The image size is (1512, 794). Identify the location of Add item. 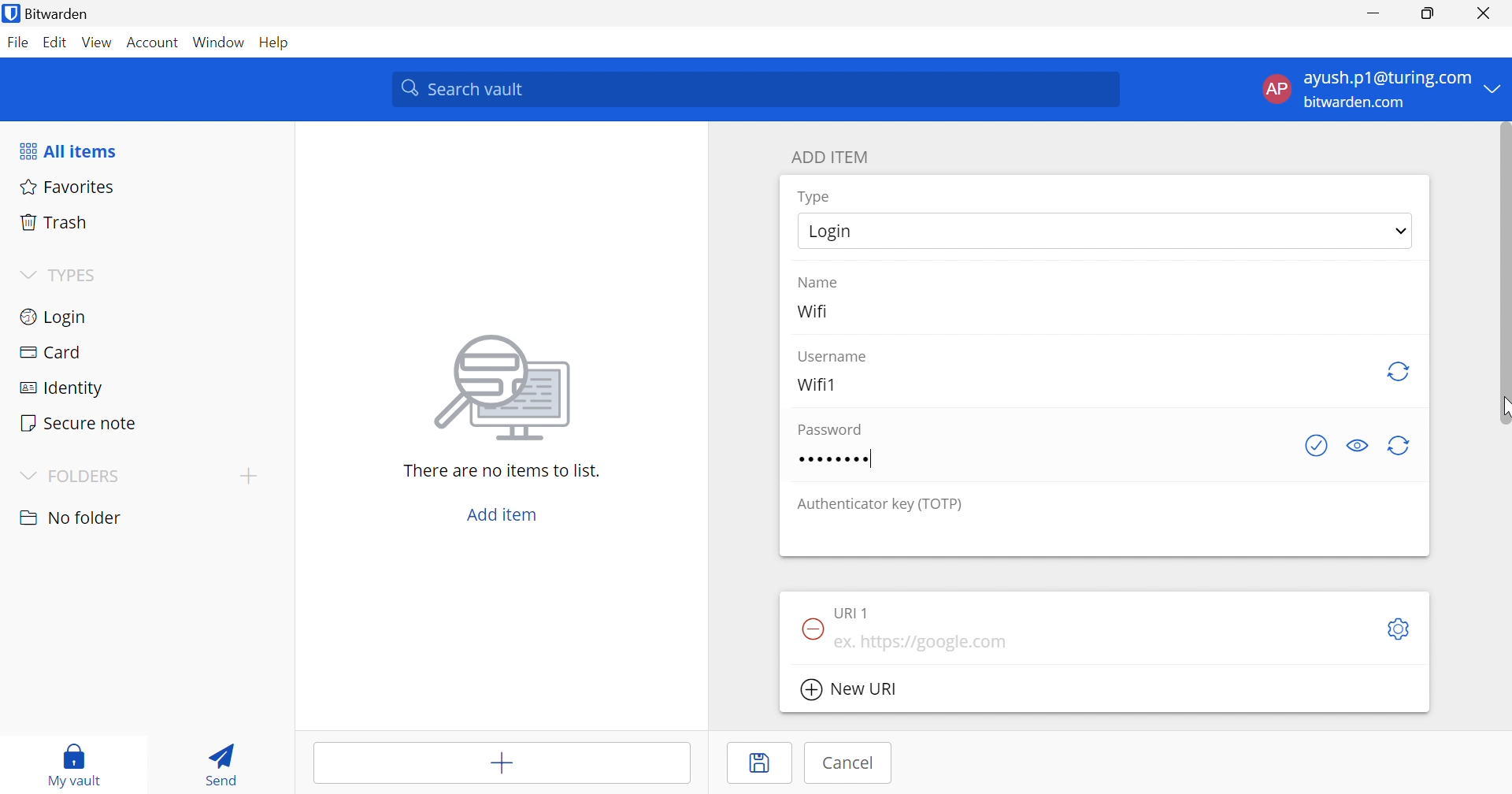
(503, 765).